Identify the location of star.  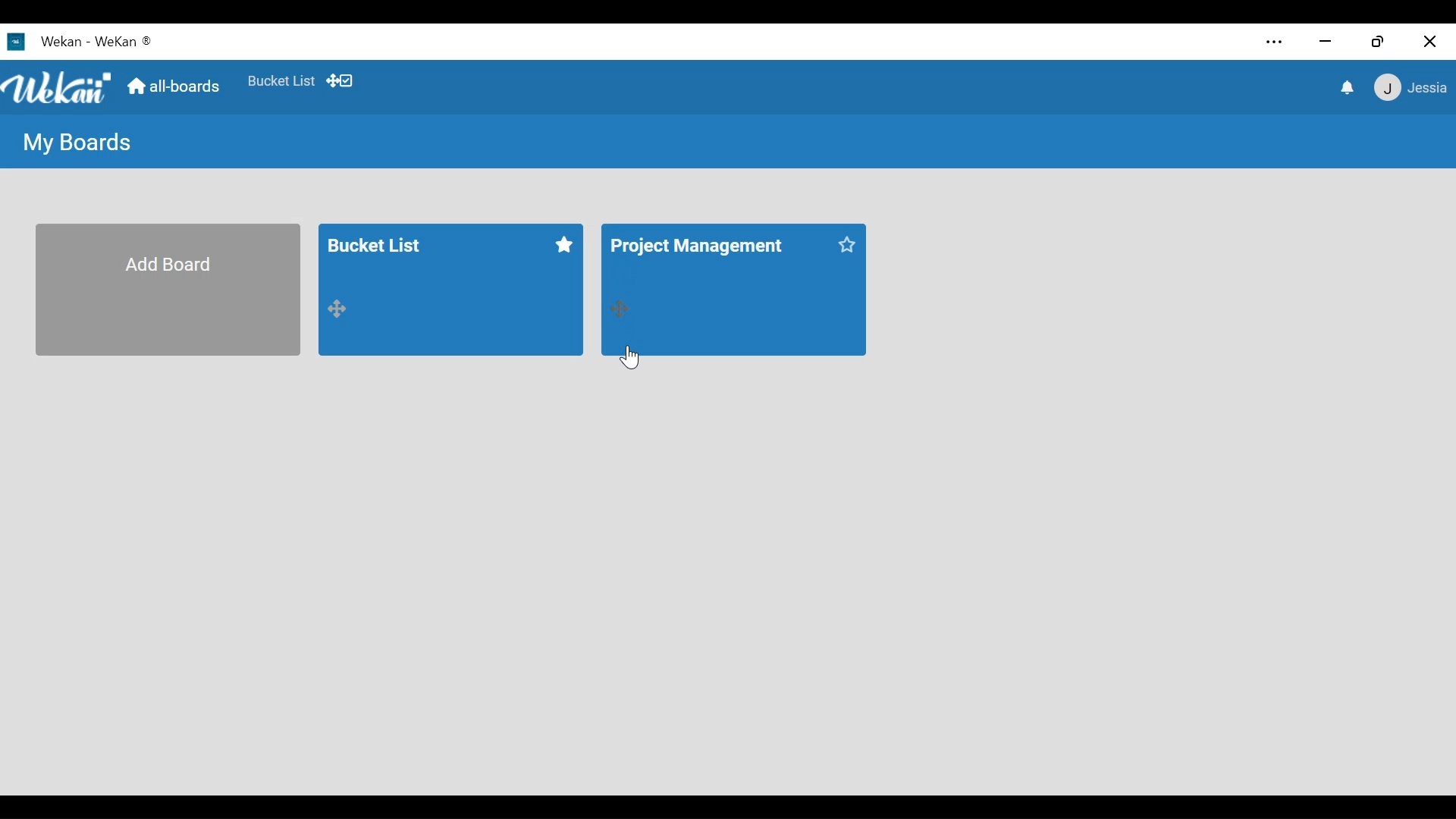
(847, 245).